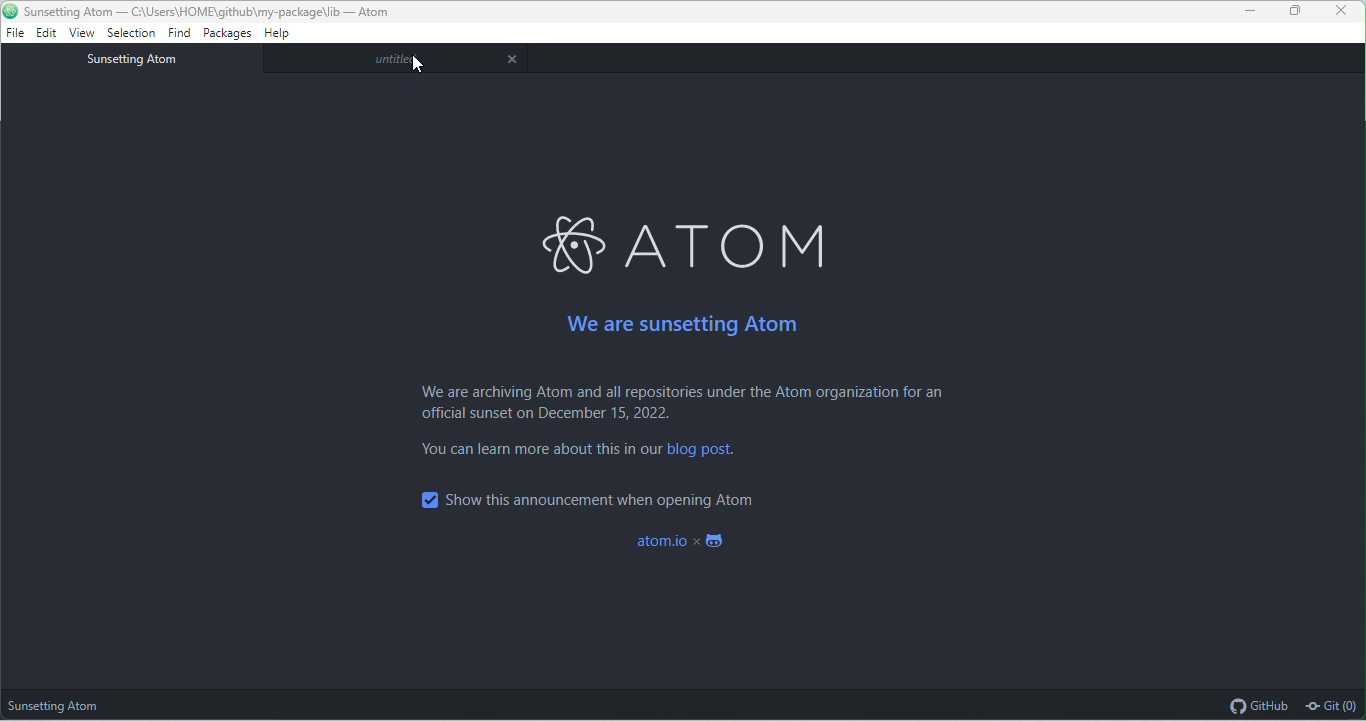 The image size is (1366, 722). Describe the element at coordinates (16, 34) in the screenshot. I see `file` at that location.